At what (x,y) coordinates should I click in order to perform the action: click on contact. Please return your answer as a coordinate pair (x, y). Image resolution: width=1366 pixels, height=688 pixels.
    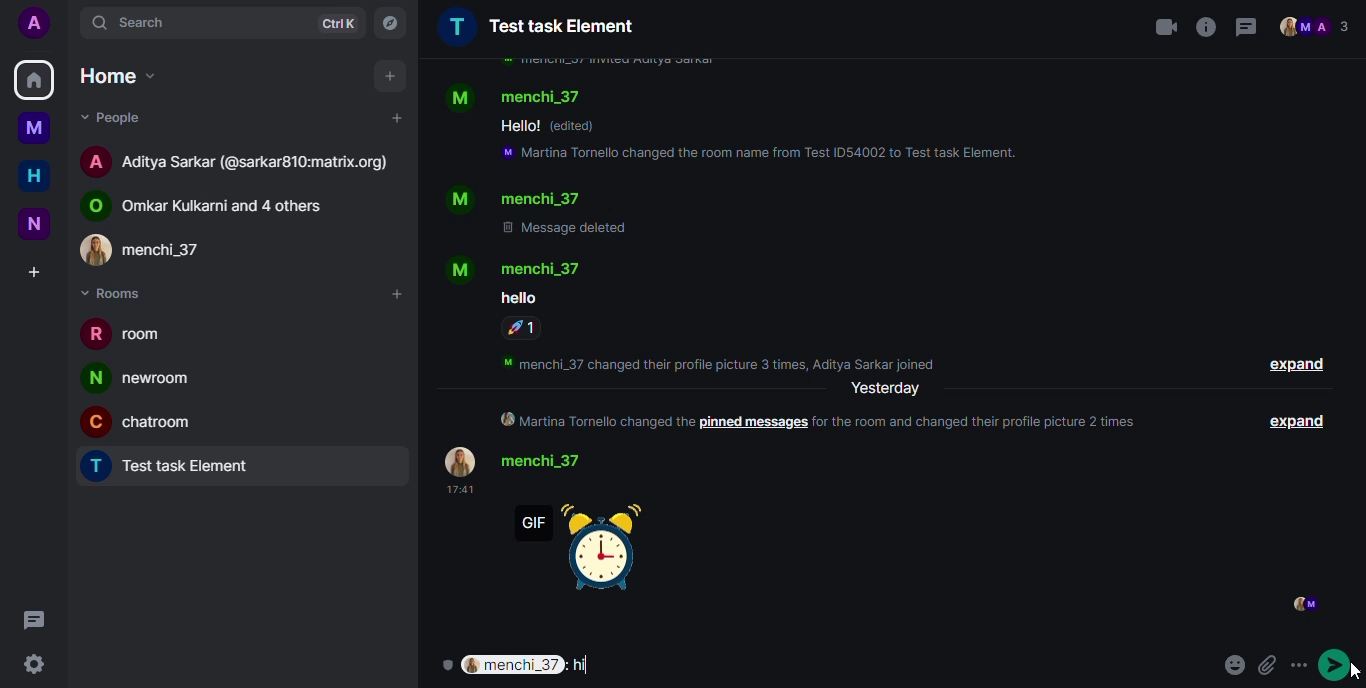
    Looking at the image, I should click on (240, 160).